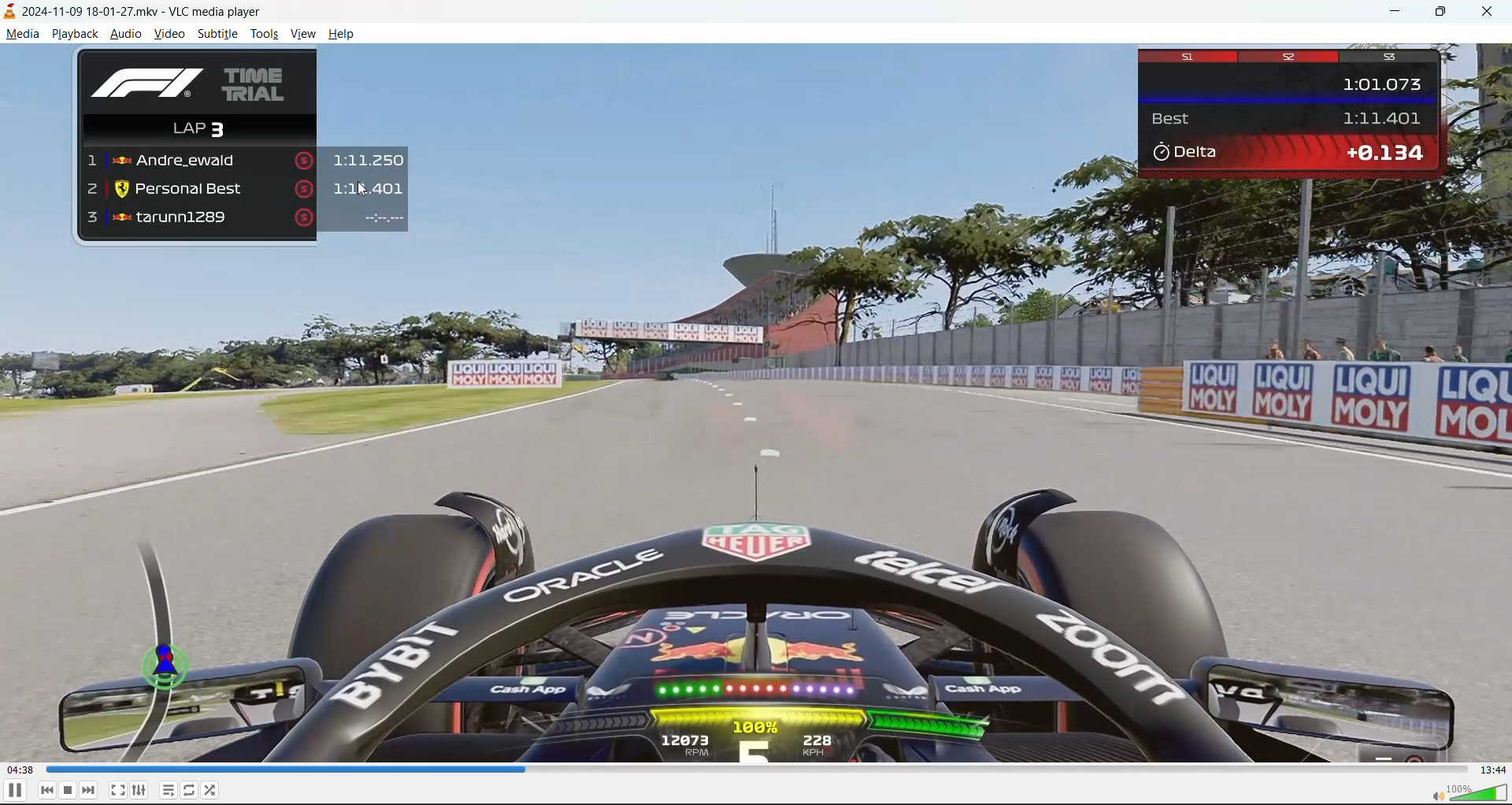 The height and width of the screenshot is (805, 1512). What do you see at coordinates (1441, 13) in the screenshot?
I see `maximize` at bounding box center [1441, 13].